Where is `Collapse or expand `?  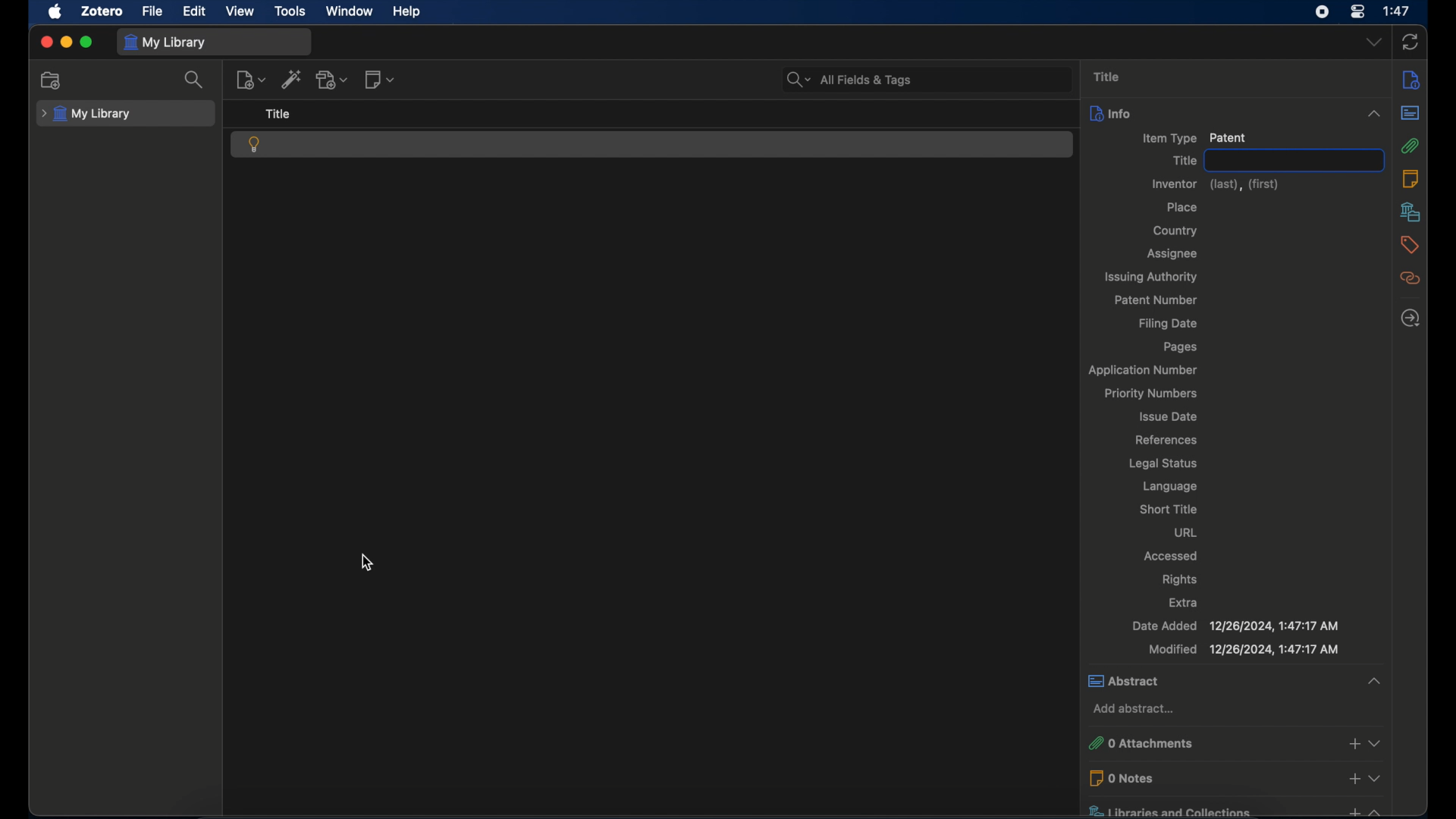 Collapse or expand  is located at coordinates (1379, 743).